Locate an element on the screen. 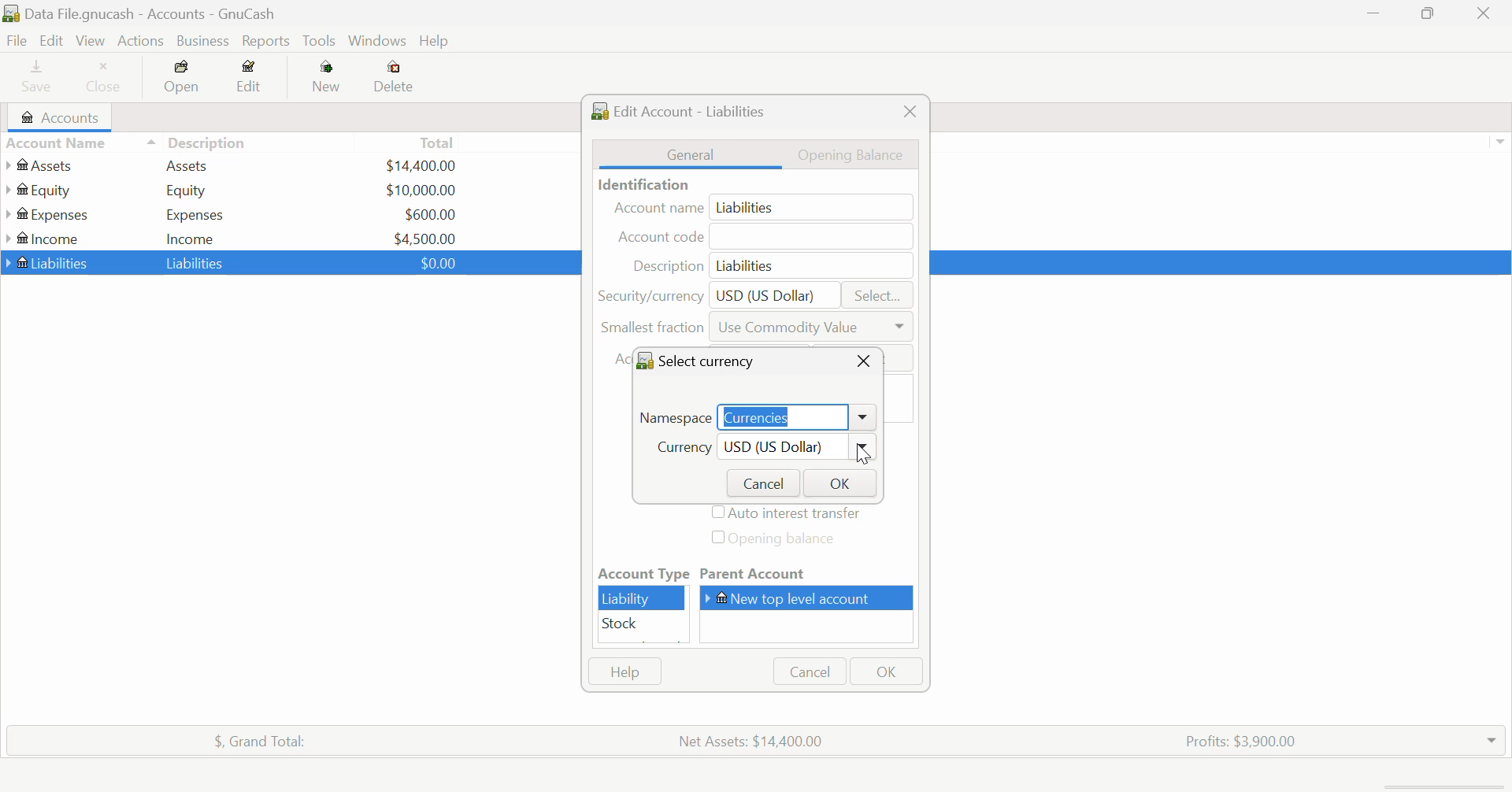 The height and width of the screenshot is (792, 1512). USD is located at coordinates (434, 262).